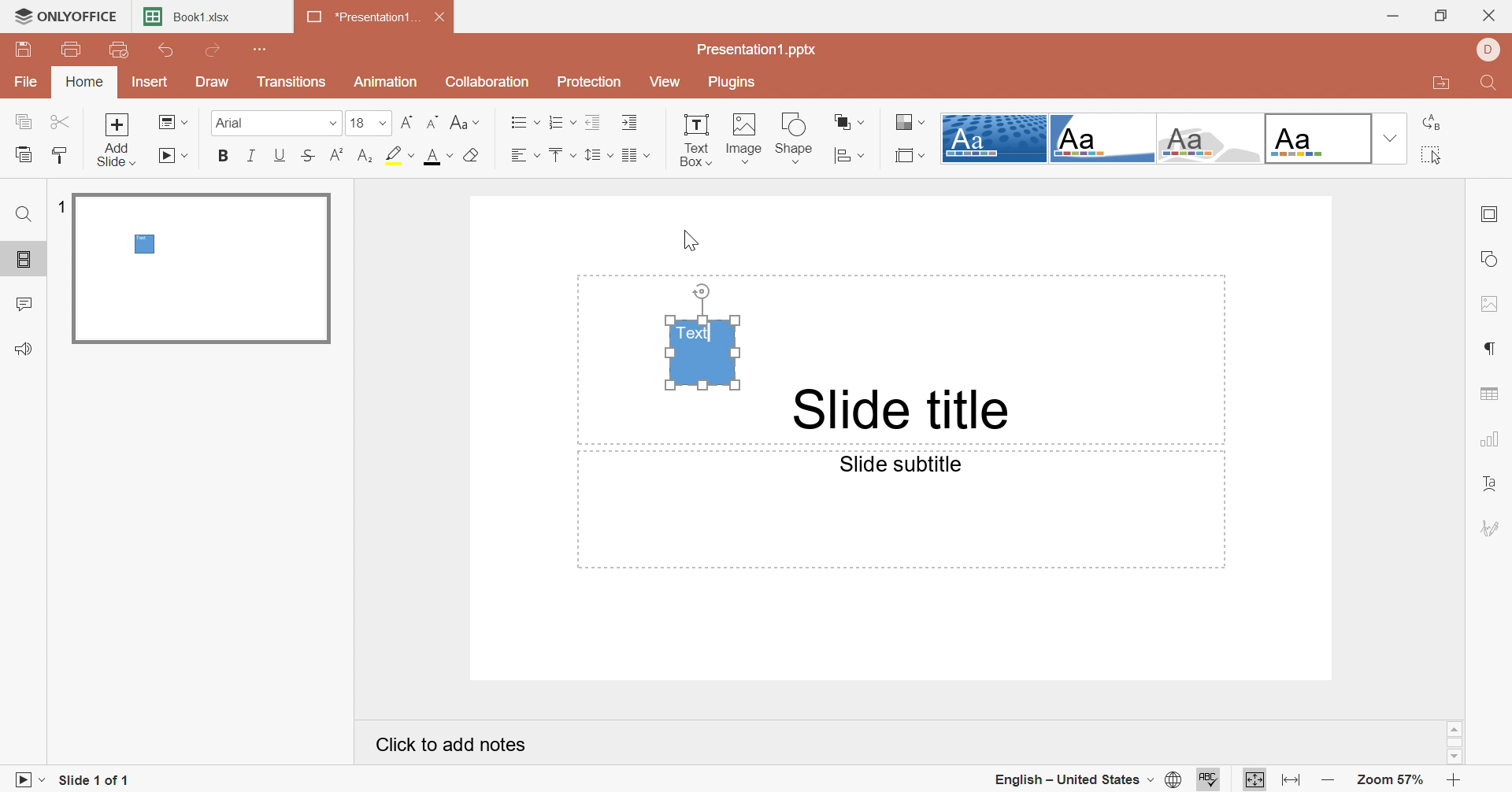 The height and width of the screenshot is (792, 1512). I want to click on View, so click(662, 83).